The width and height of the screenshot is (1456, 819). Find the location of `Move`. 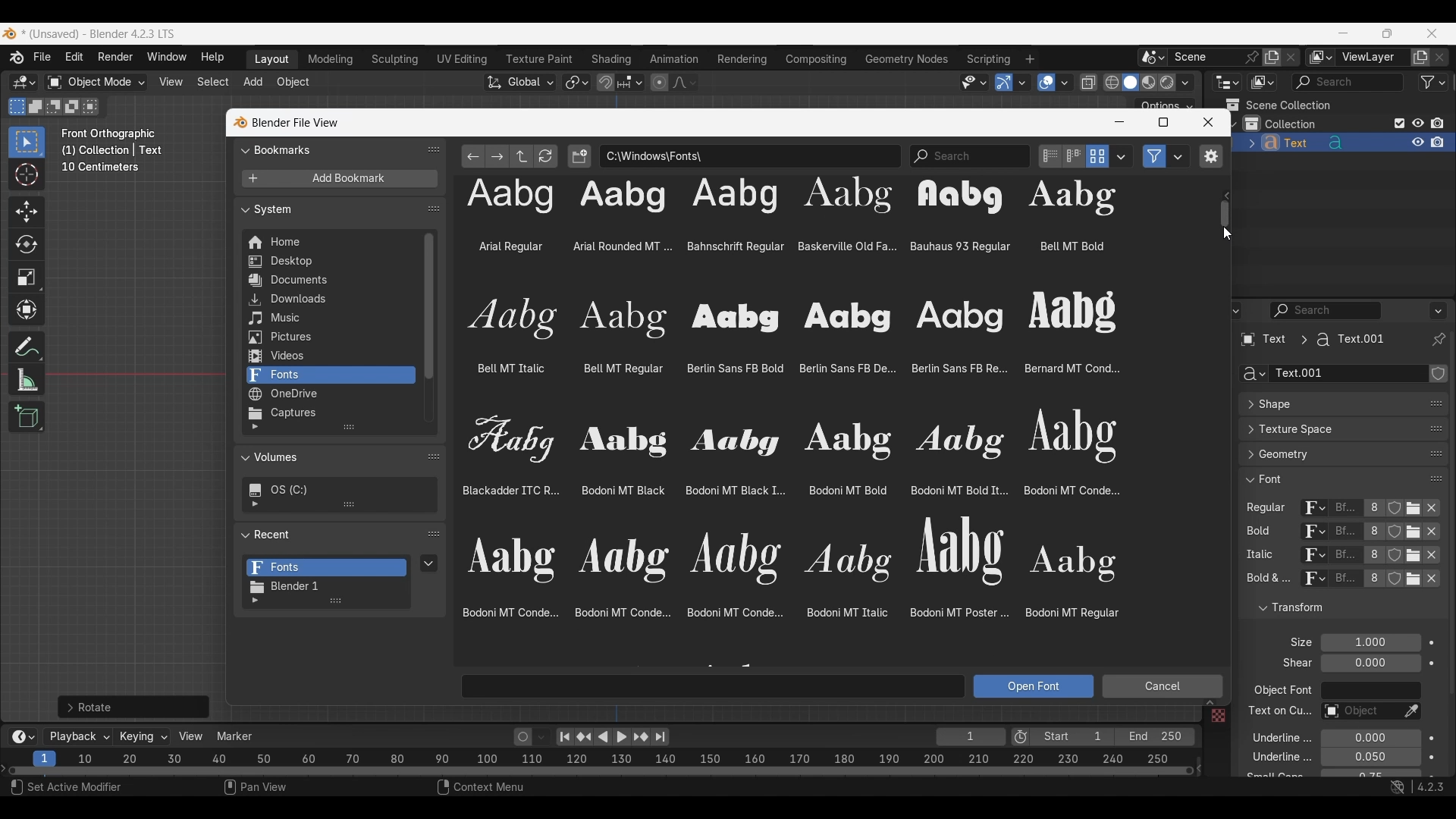

Move is located at coordinates (27, 212).